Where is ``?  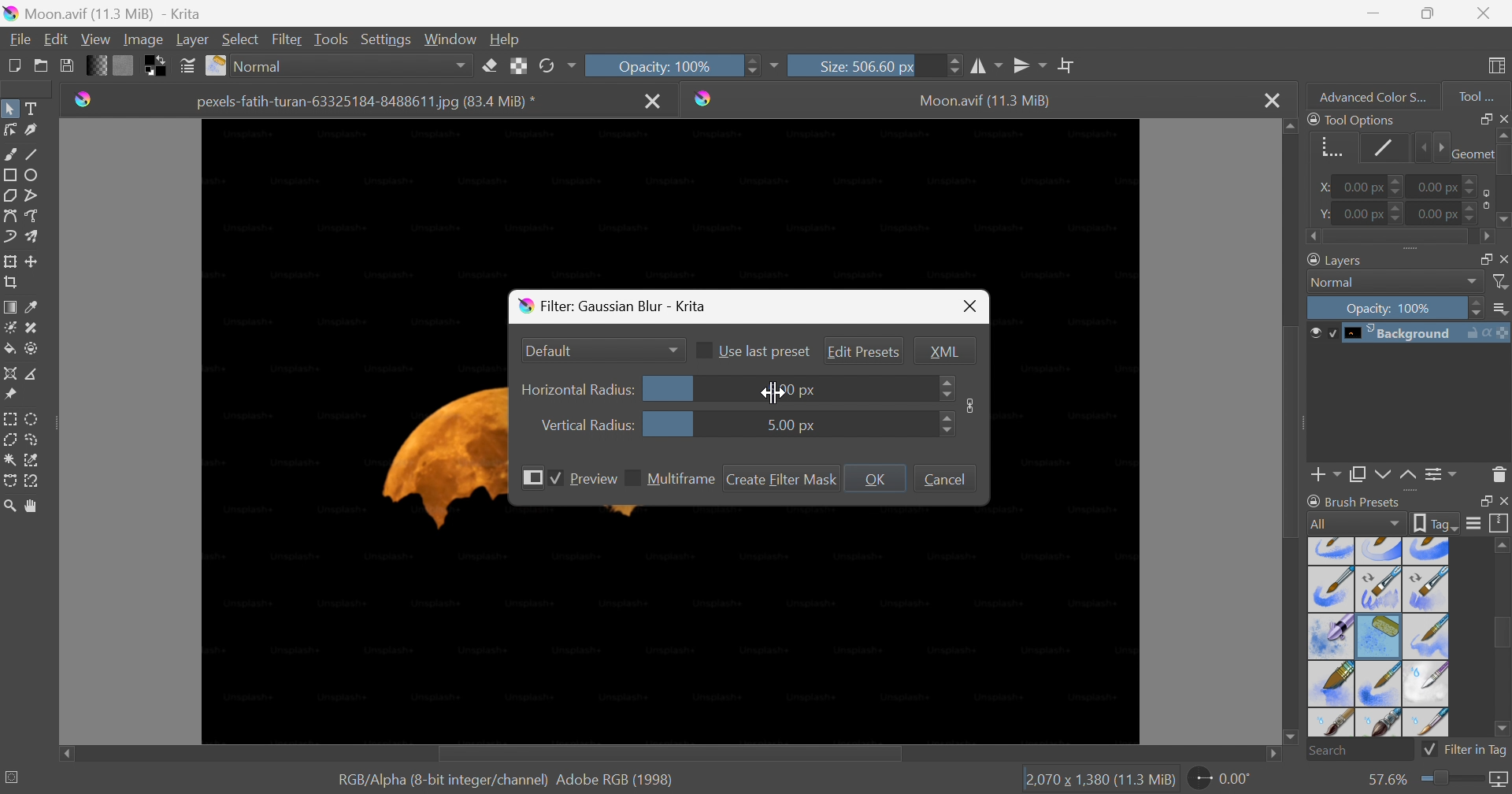
 is located at coordinates (13, 65).